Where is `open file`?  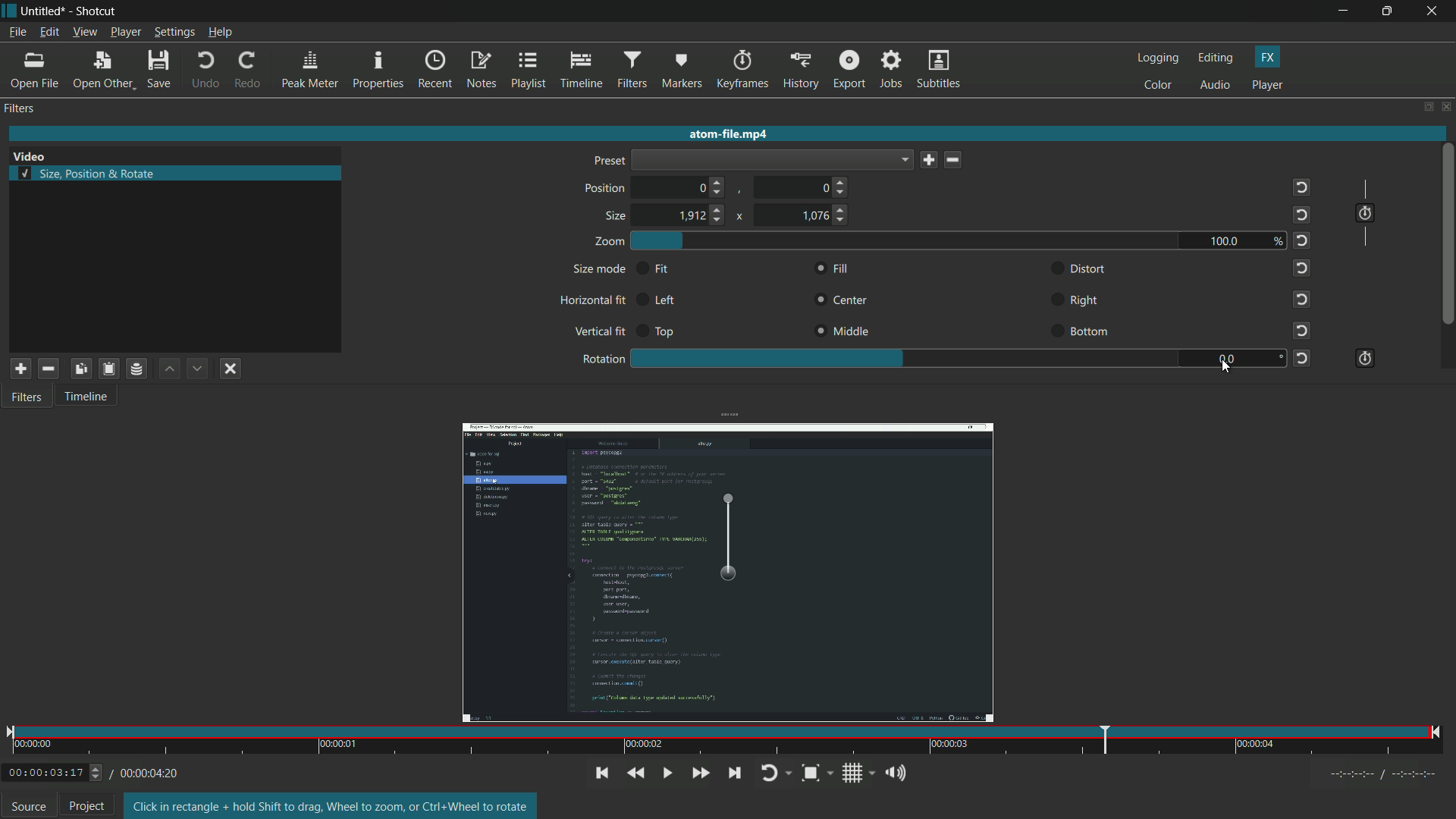
open file is located at coordinates (33, 71).